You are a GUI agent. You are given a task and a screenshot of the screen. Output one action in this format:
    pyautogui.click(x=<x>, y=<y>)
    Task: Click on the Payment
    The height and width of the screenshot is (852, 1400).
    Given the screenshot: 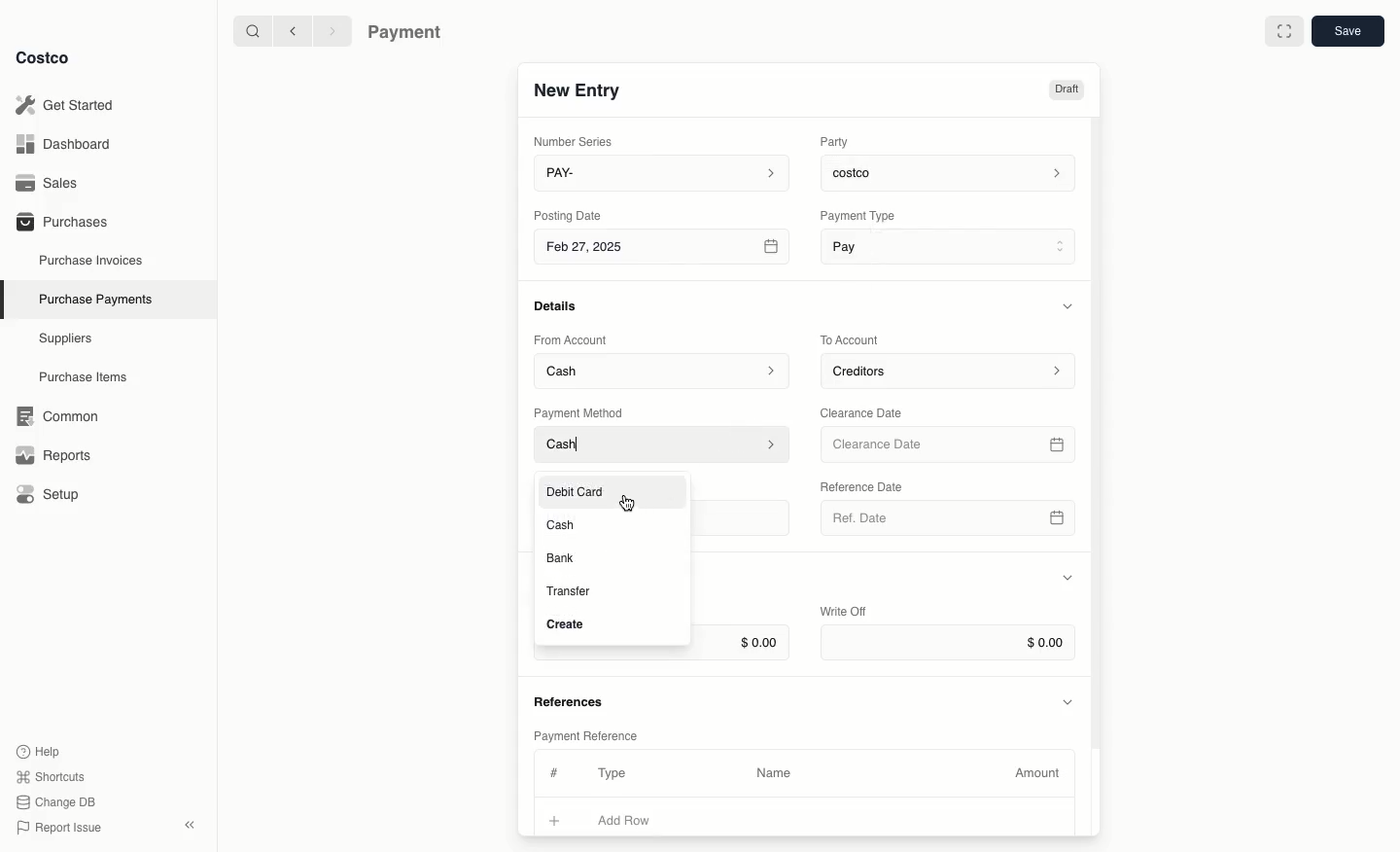 What is the action you would take?
    pyautogui.click(x=409, y=34)
    